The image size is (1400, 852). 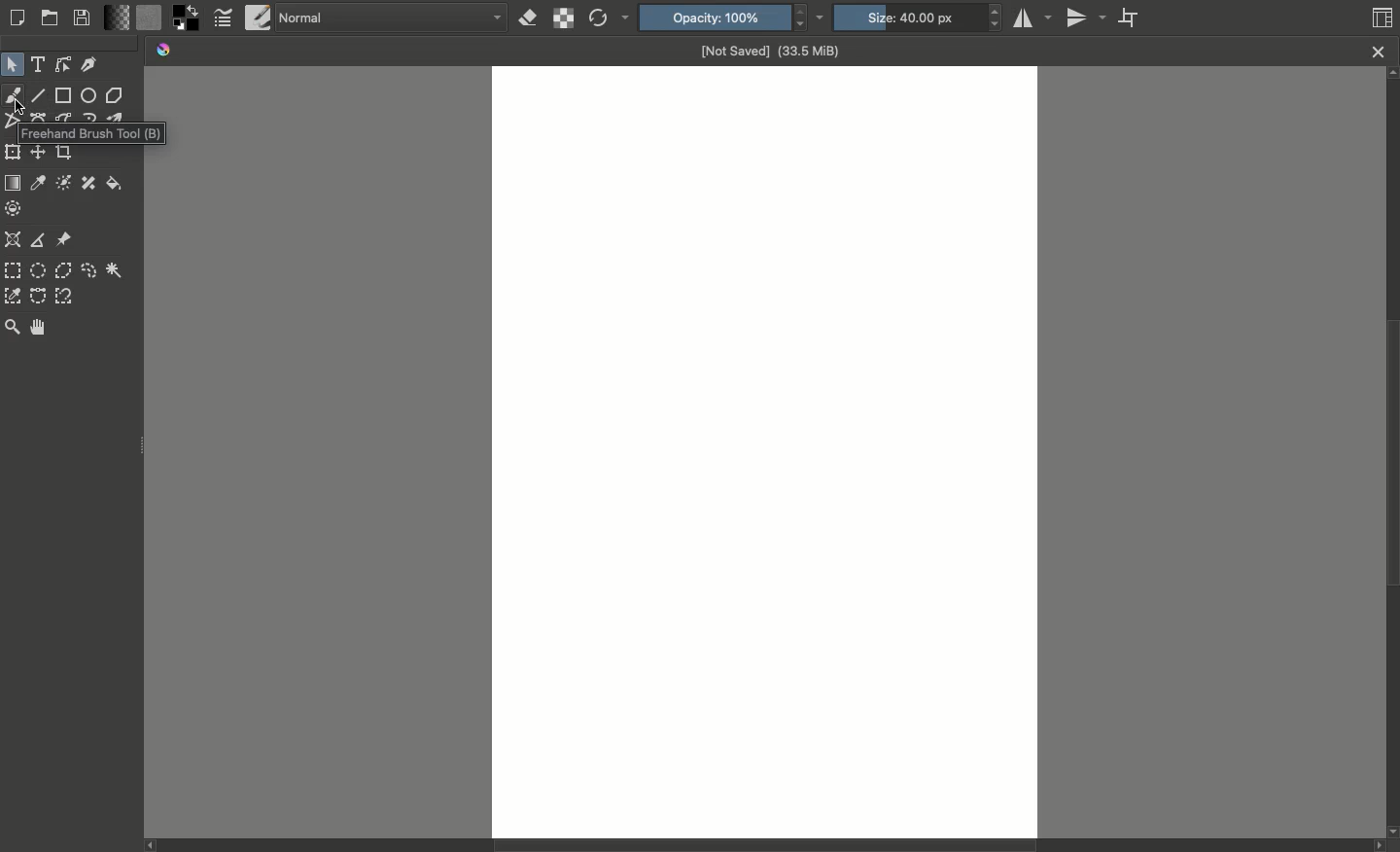 I want to click on Move a layer, so click(x=39, y=153).